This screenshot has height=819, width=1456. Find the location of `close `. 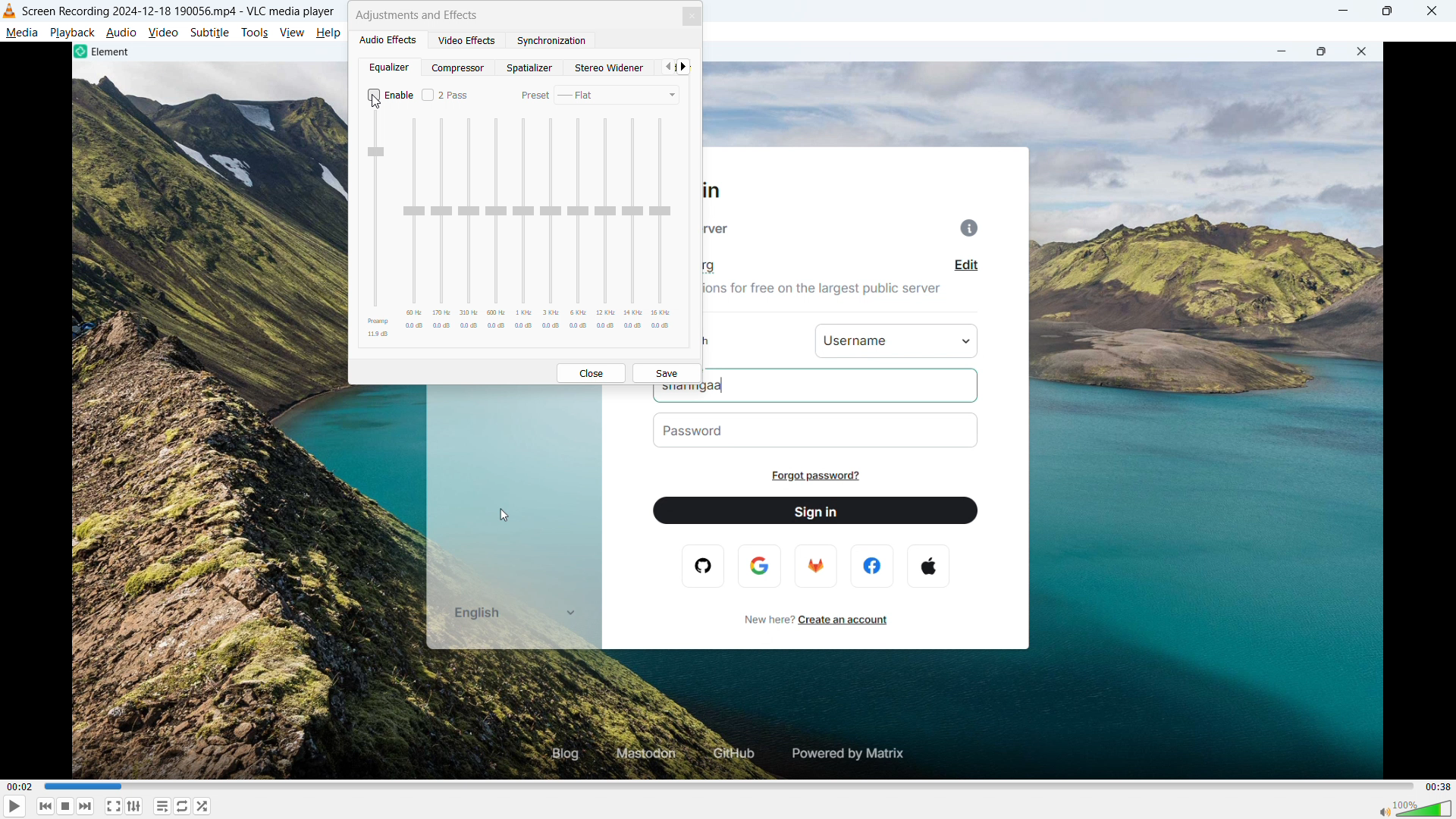

close  is located at coordinates (1432, 11).